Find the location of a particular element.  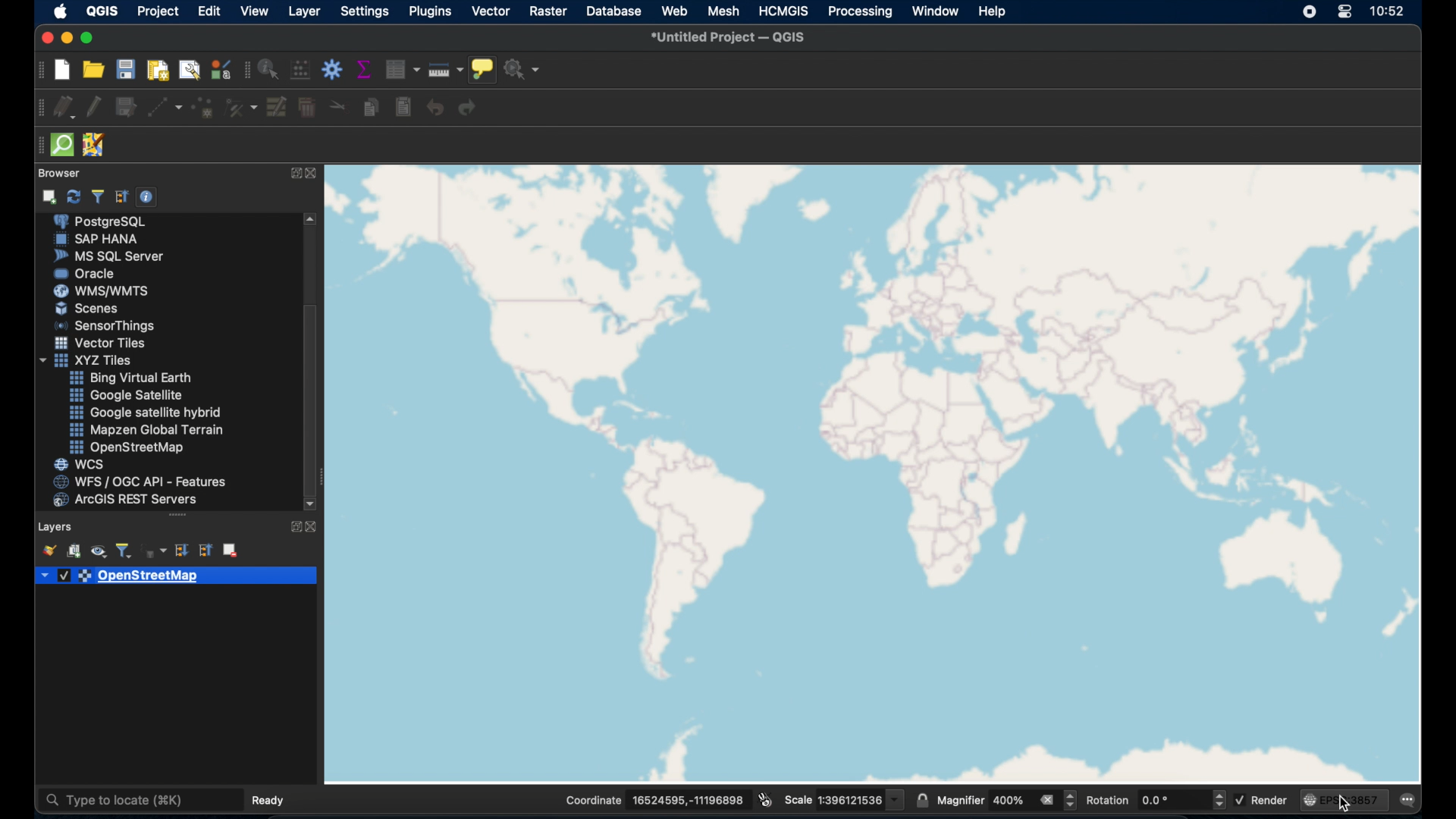

attributes toolbar is located at coordinates (247, 71).